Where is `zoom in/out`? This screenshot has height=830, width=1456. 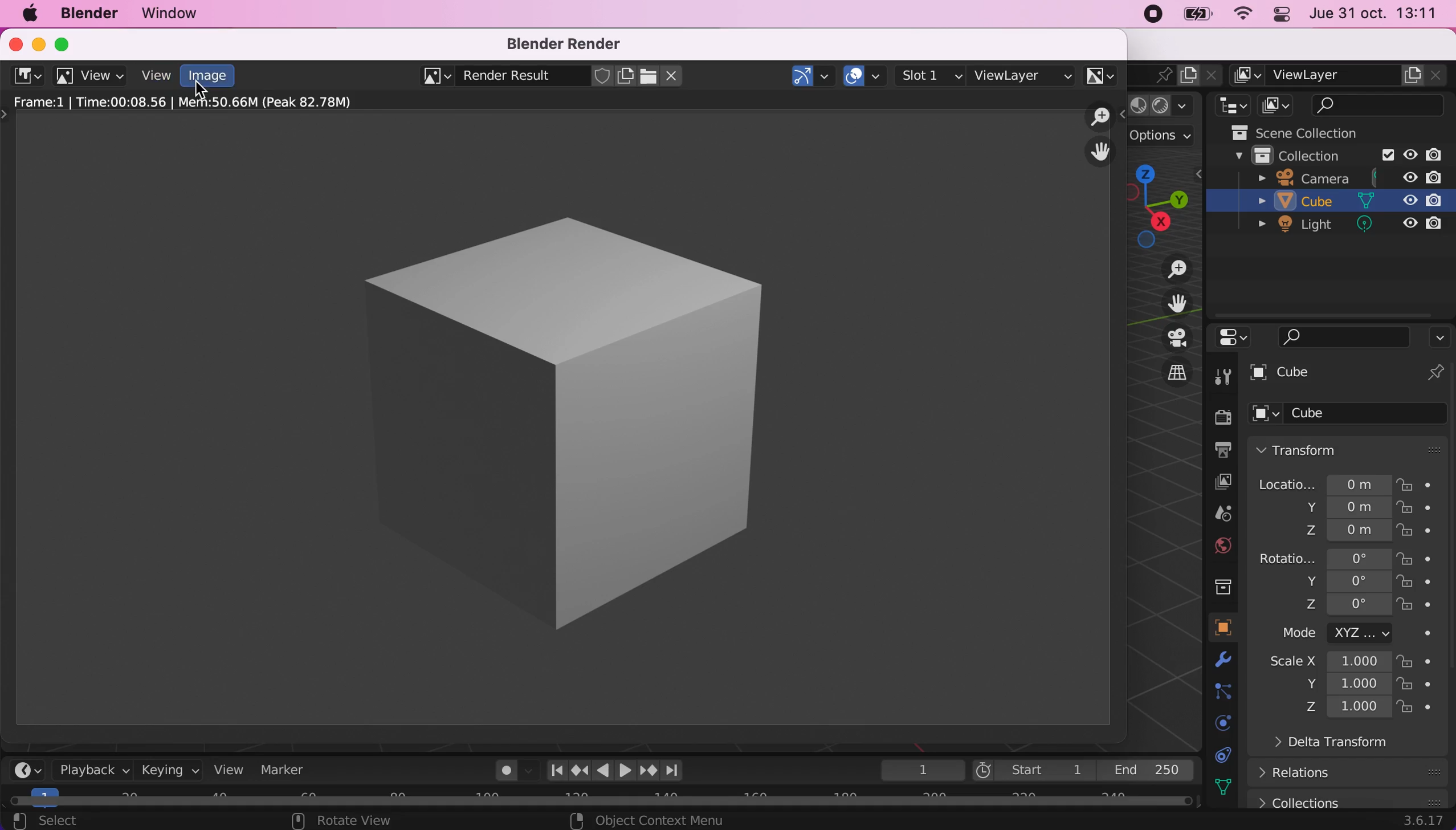
zoom in/out is located at coordinates (1168, 270).